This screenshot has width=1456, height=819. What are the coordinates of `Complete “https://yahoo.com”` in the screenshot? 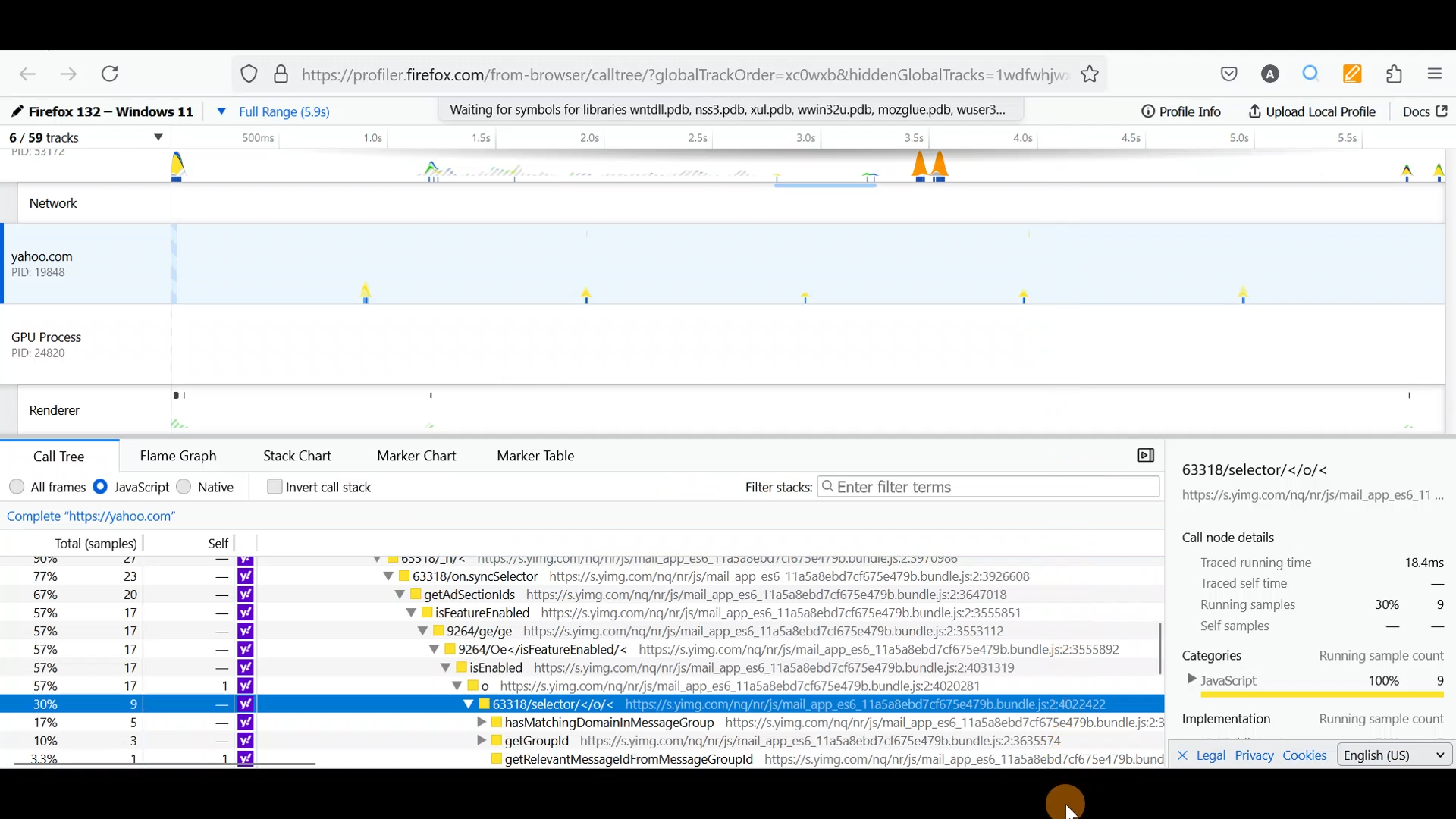 It's located at (127, 514).